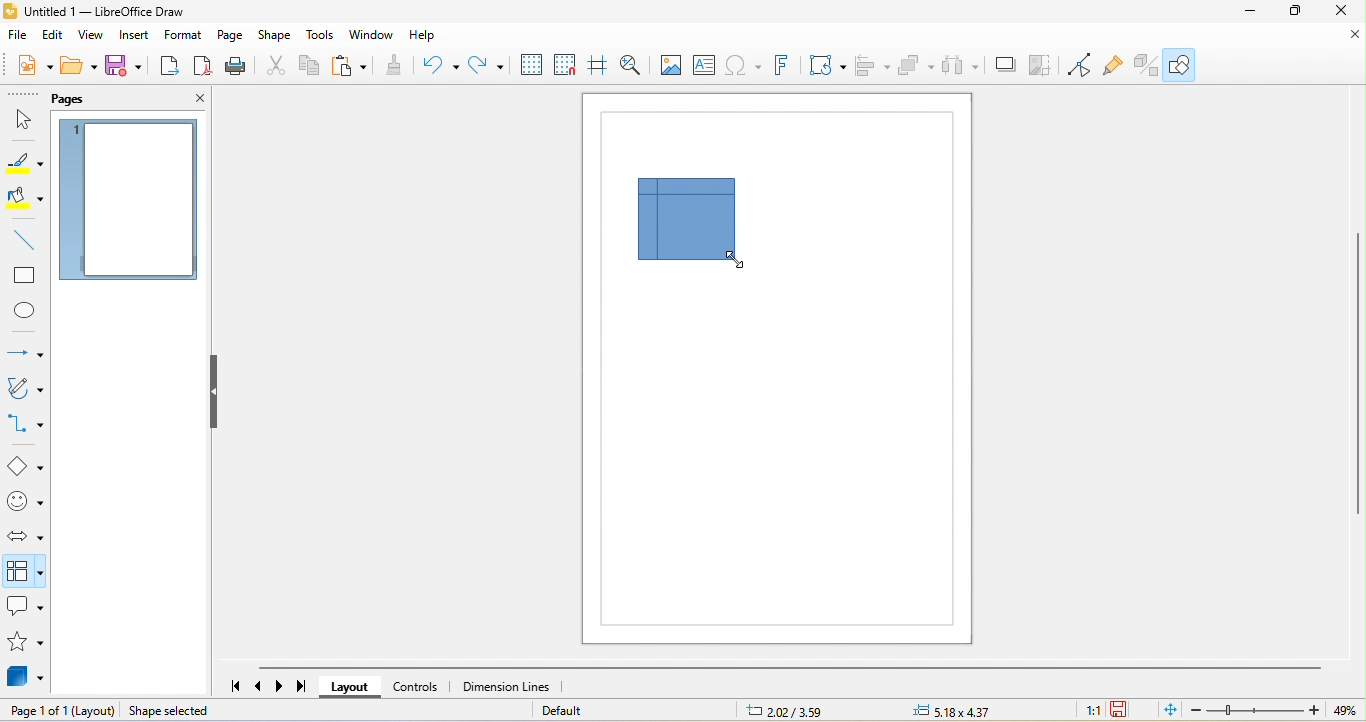  What do you see at coordinates (25, 504) in the screenshot?
I see `symbol shape` at bounding box center [25, 504].